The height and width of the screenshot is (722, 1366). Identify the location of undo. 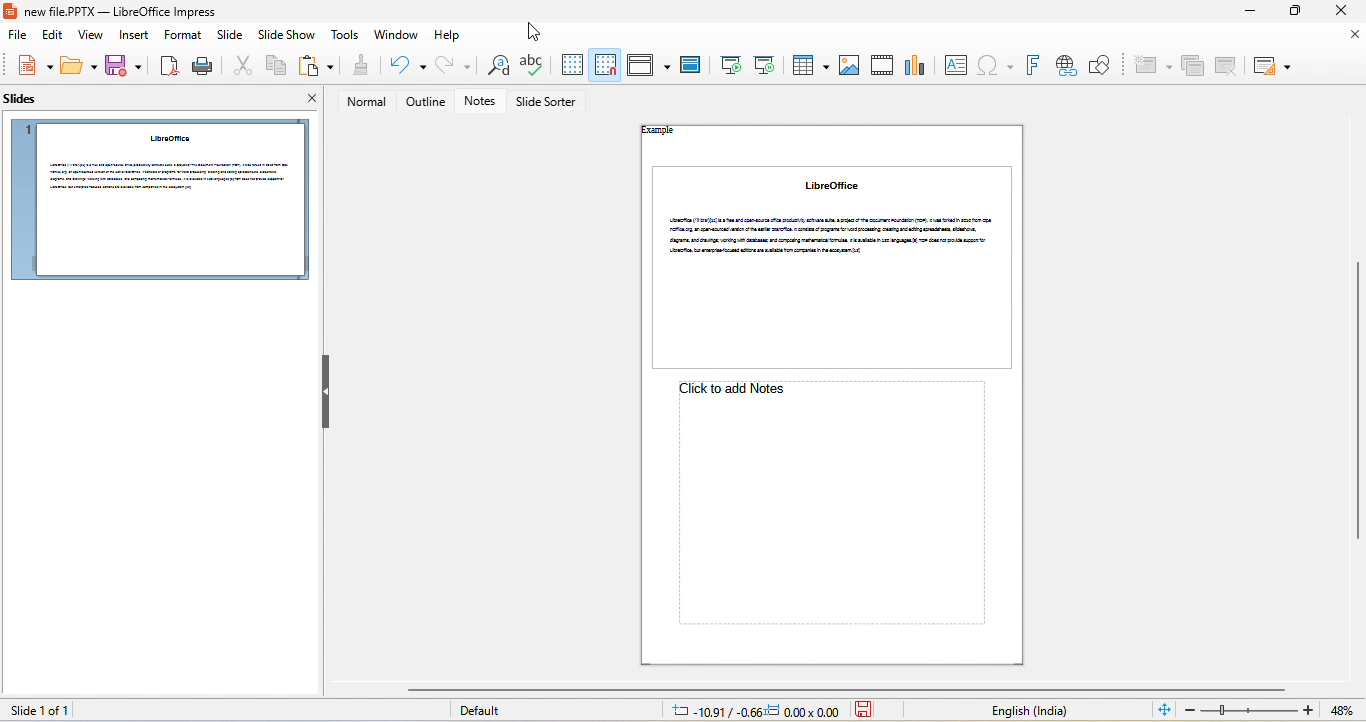
(403, 66).